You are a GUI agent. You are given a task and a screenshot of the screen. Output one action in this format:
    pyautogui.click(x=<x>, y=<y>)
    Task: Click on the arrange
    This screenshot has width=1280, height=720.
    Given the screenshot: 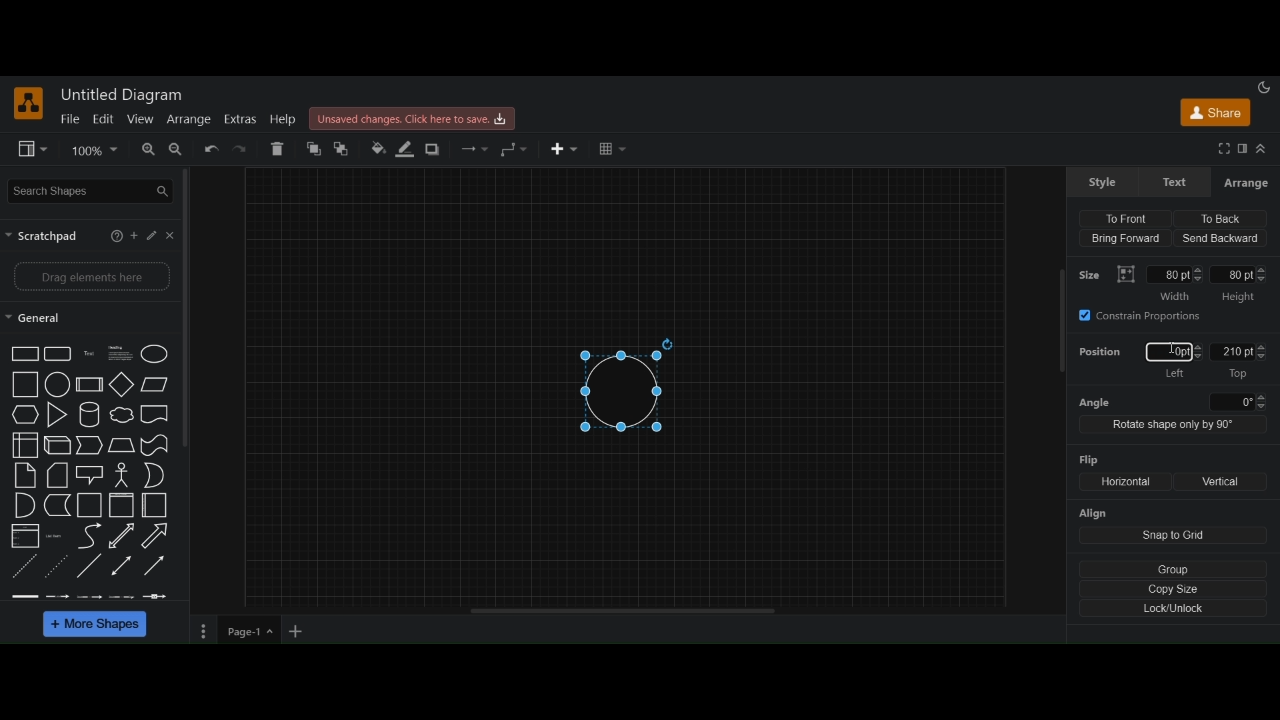 What is the action you would take?
    pyautogui.click(x=1245, y=183)
    